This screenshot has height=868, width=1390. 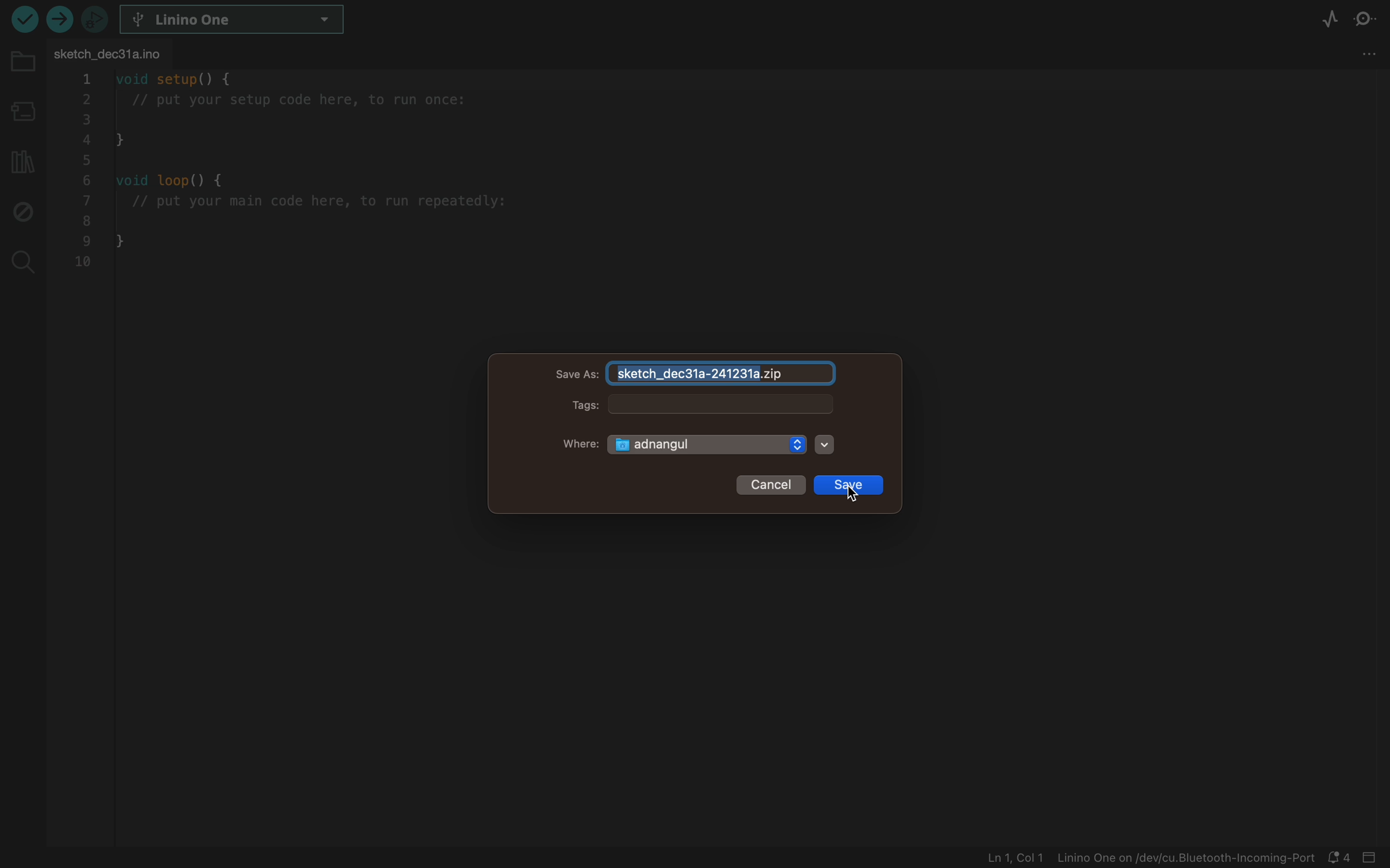 What do you see at coordinates (581, 444) in the screenshot?
I see `where` at bounding box center [581, 444].